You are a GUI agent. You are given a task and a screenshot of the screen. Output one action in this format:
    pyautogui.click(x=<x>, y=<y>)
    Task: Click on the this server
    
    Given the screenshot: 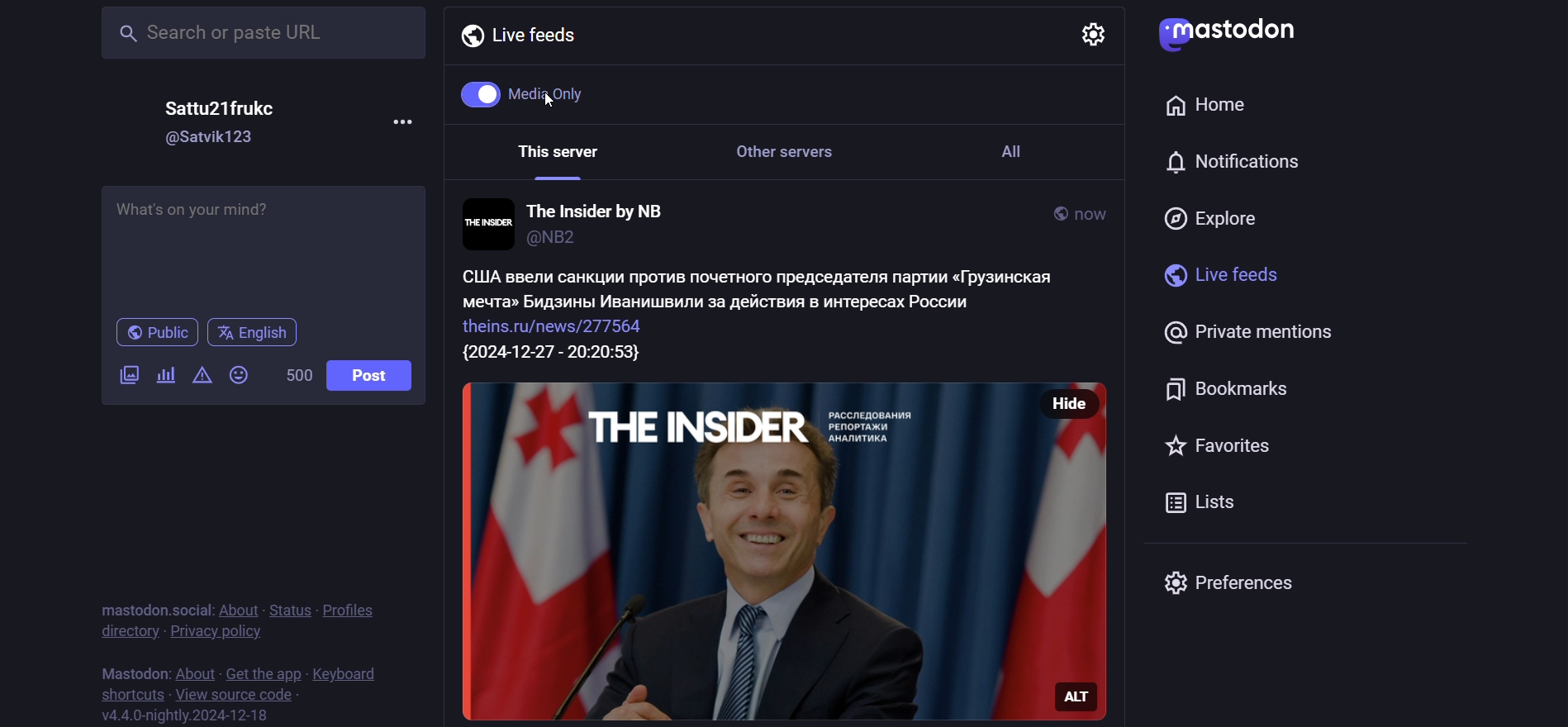 What is the action you would take?
    pyautogui.click(x=553, y=156)
    